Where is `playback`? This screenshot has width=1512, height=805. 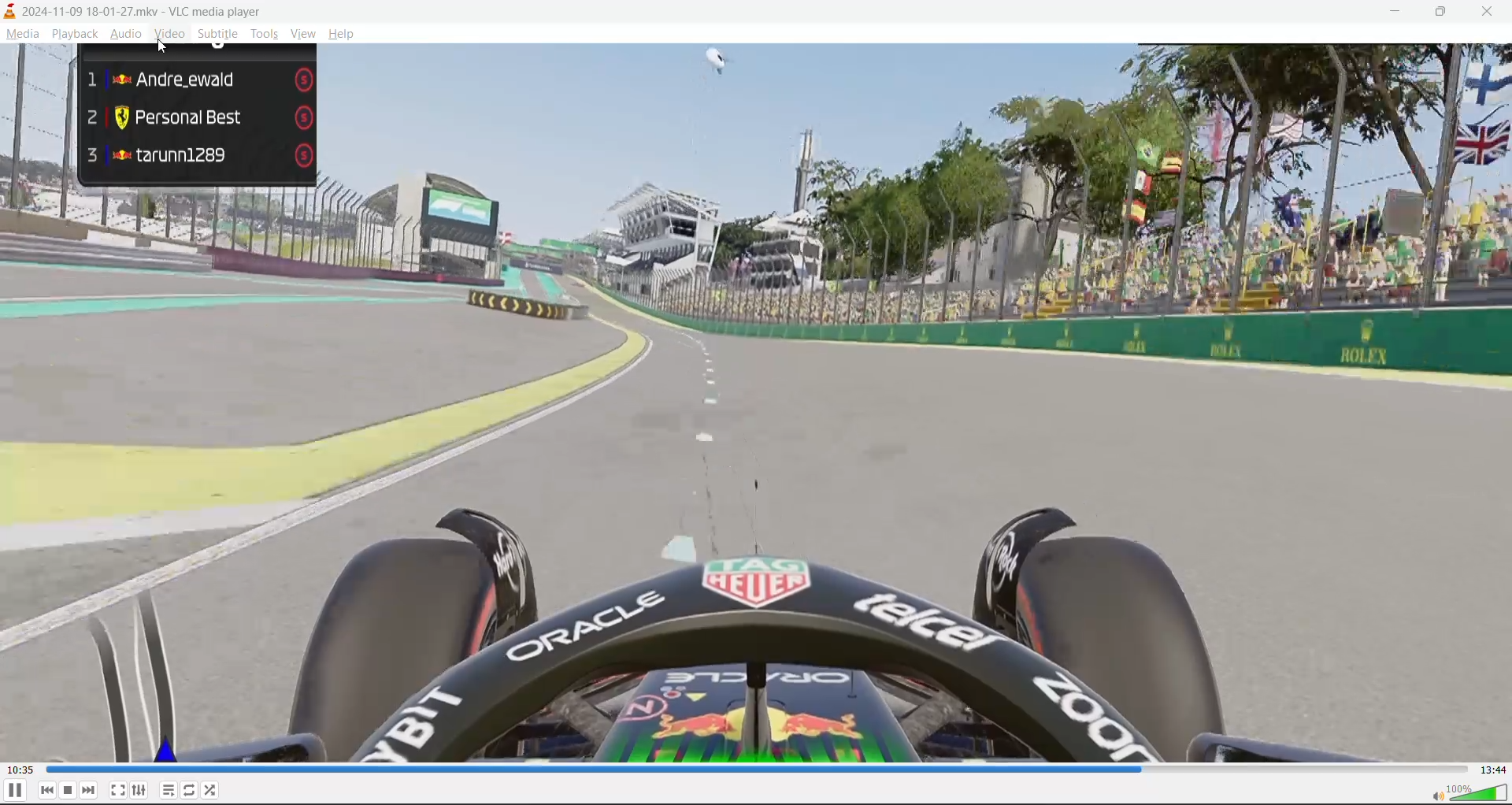
playback is located at coordinates (73, 35).